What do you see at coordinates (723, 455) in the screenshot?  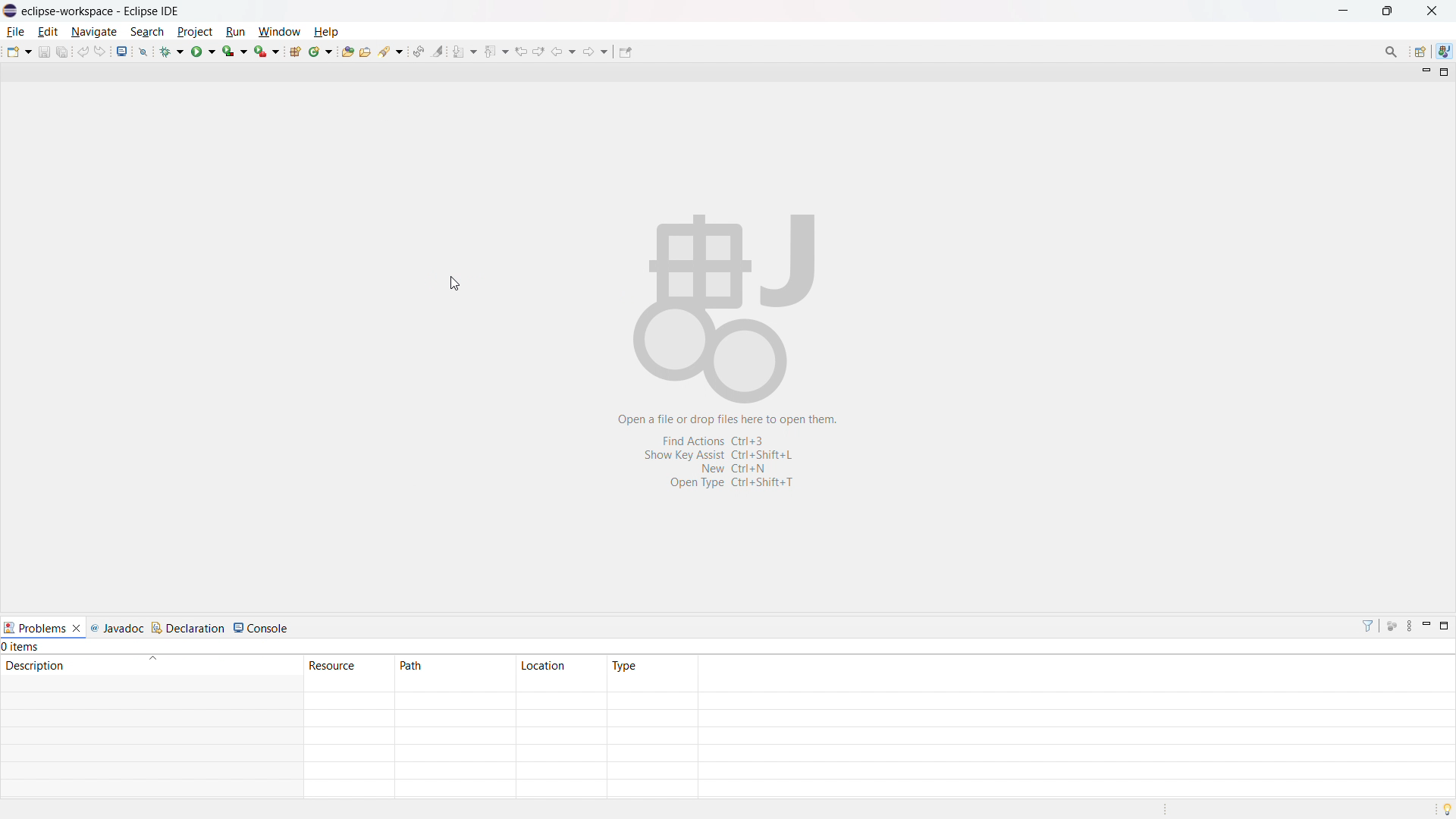 I see `Show key assist Ctrl+Shift+L` at bounding box center [723, 455].